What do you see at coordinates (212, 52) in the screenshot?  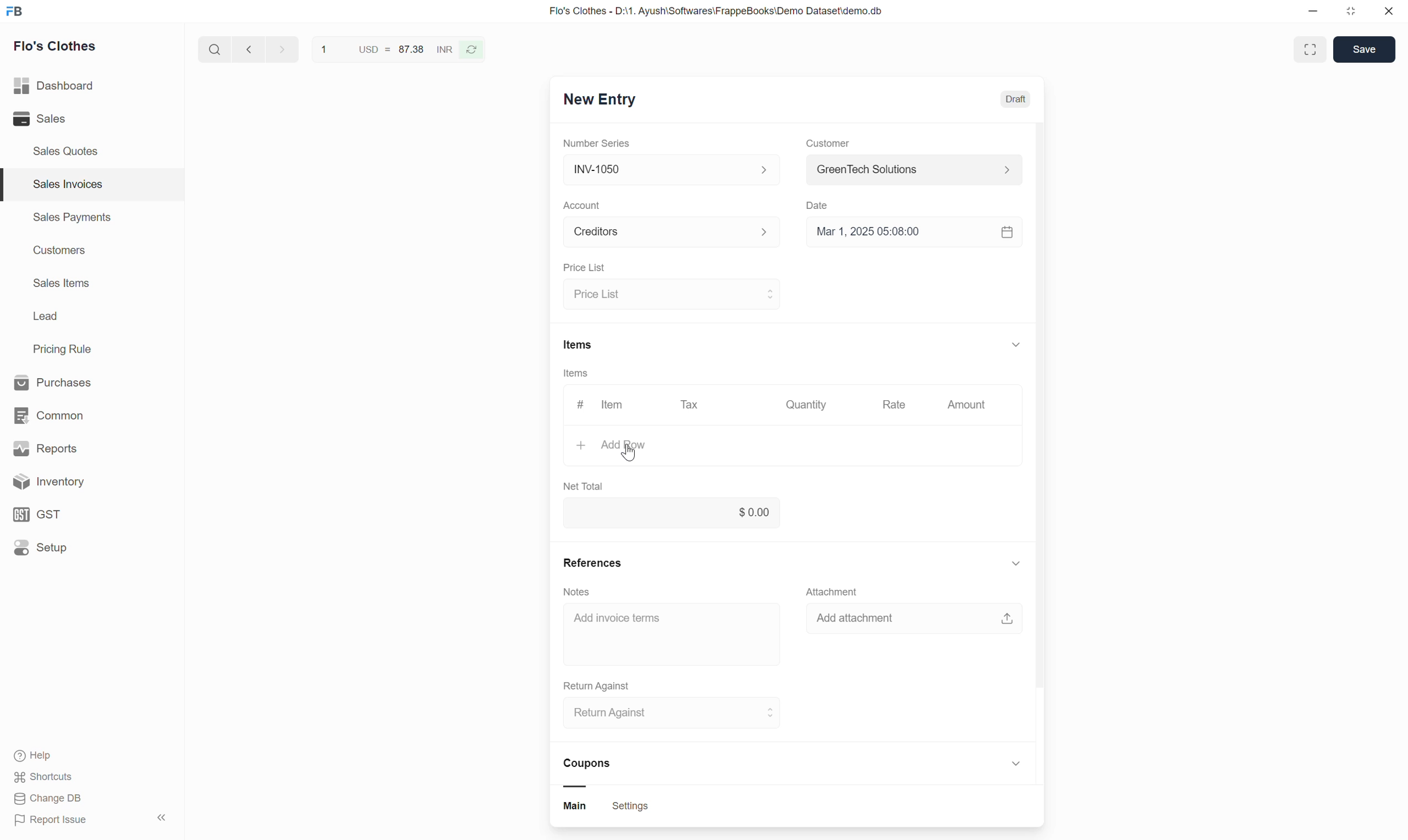 I see `search ` at bounding box center [212, 52].